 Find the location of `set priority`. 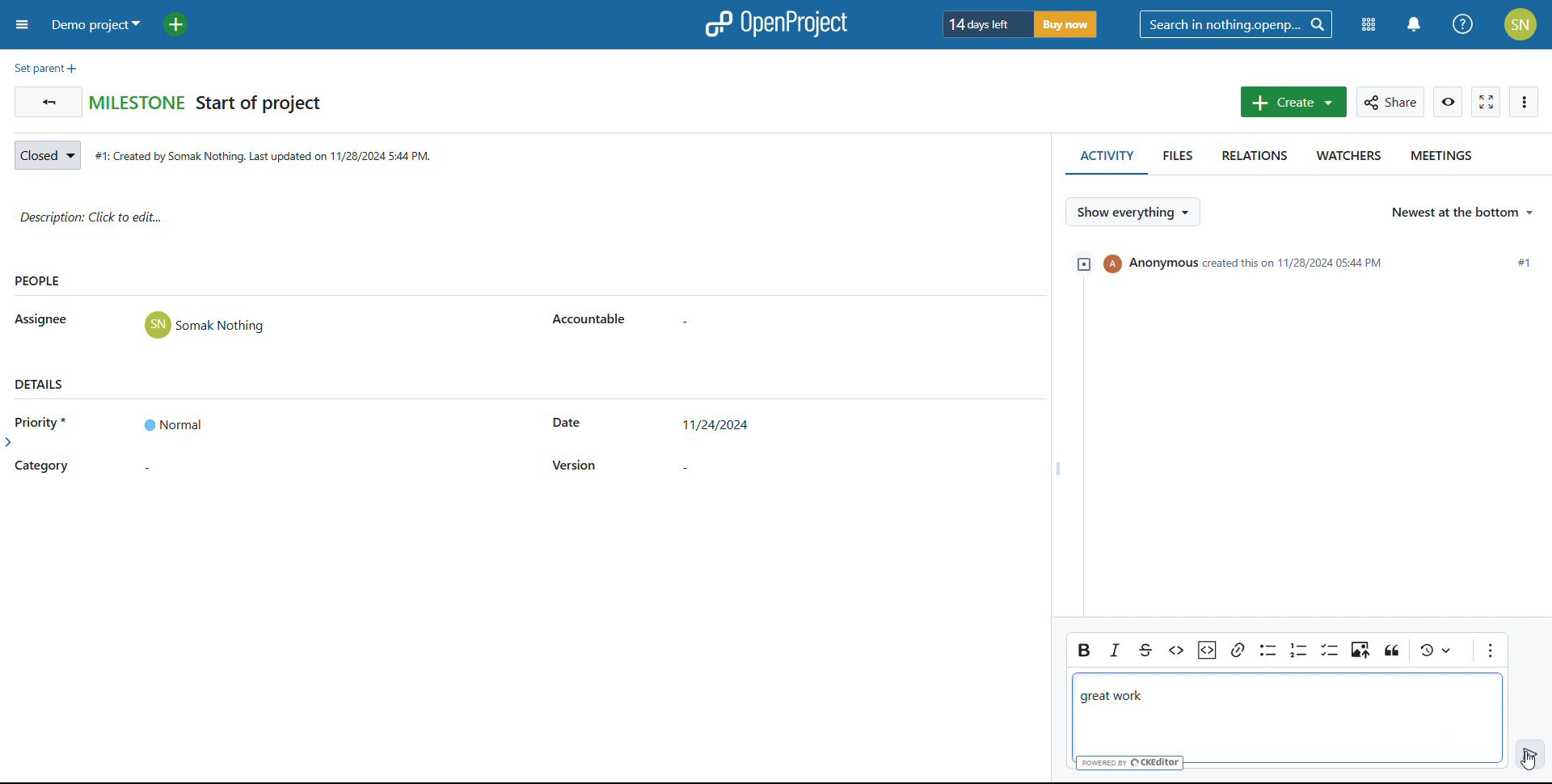

set priority is located at coordinates (171, 424).